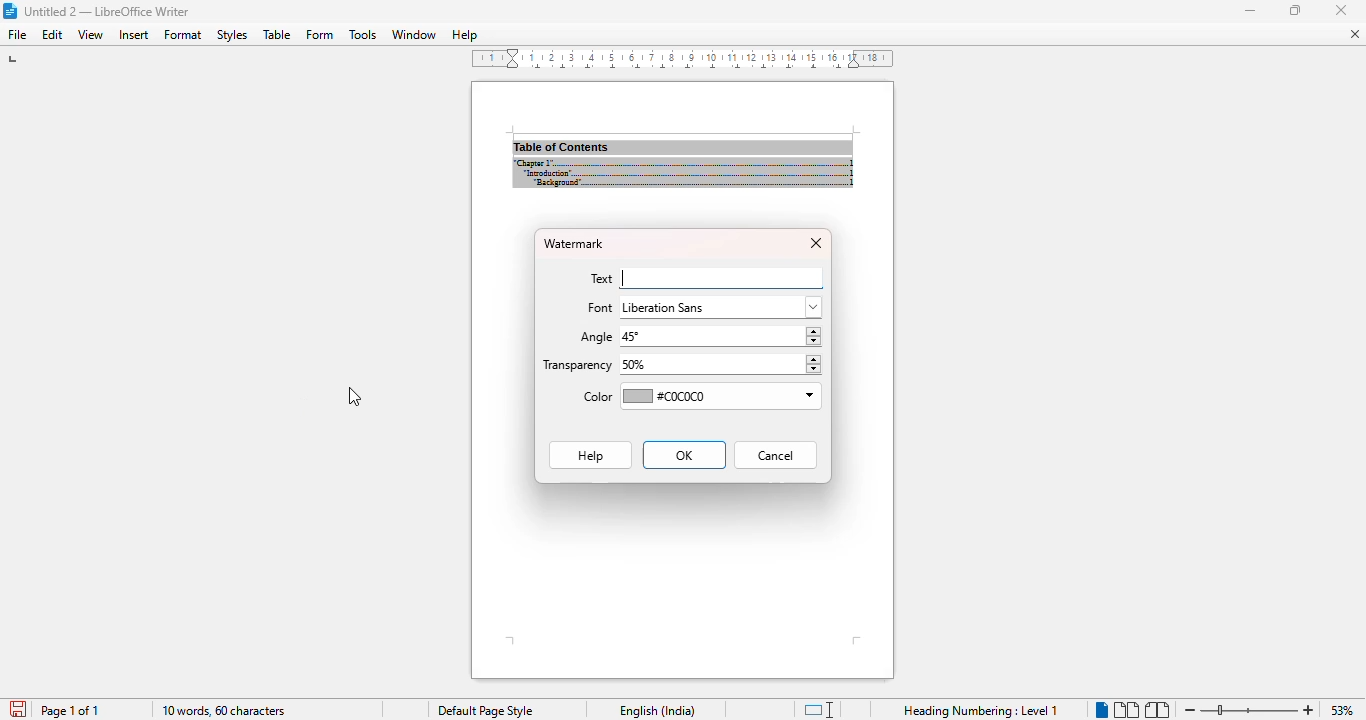 The image size is (1366, 720). I want to click on document, so click(683, 146).